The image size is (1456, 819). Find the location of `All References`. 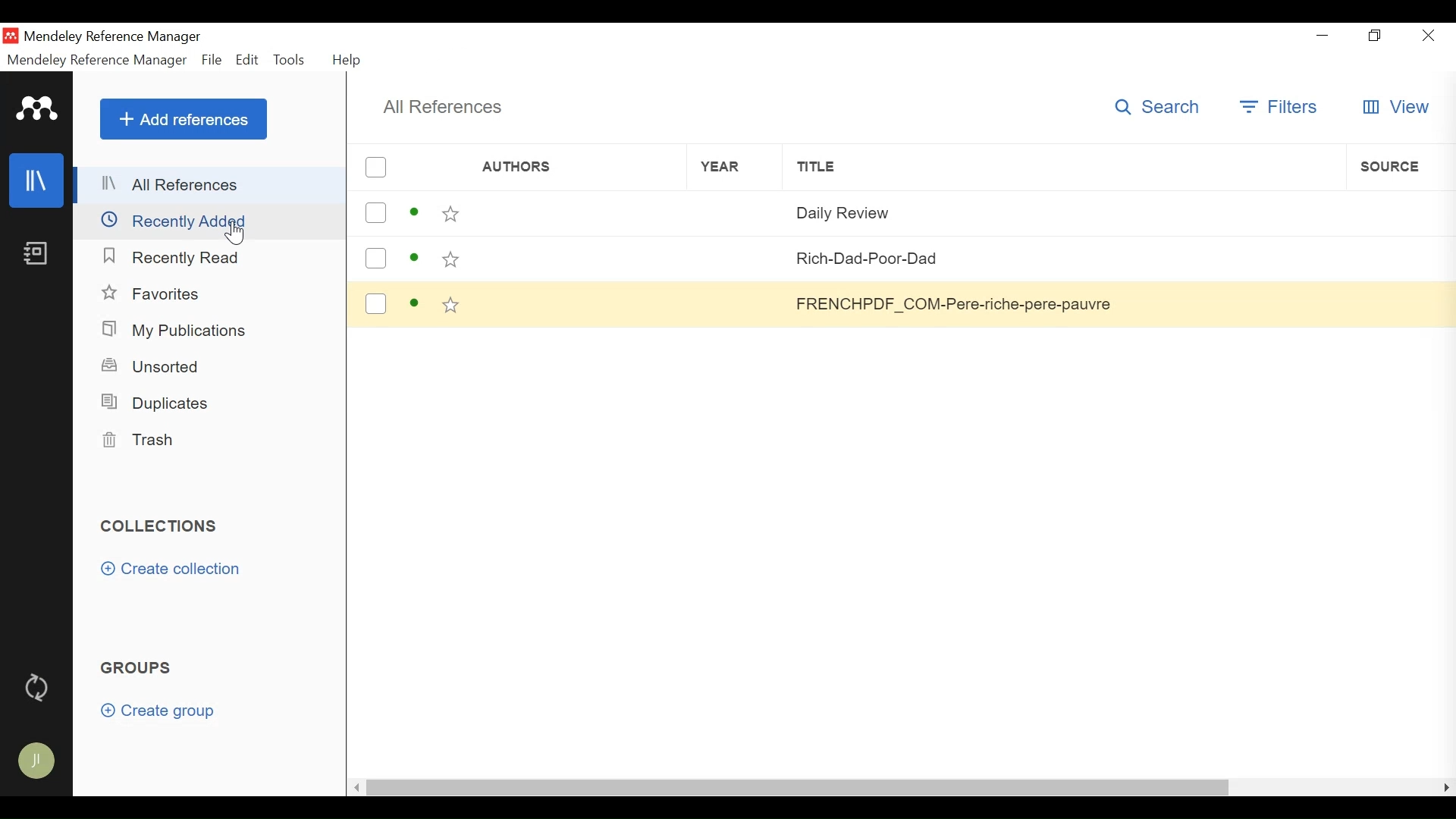

All References is located at coordinates (210, 186).